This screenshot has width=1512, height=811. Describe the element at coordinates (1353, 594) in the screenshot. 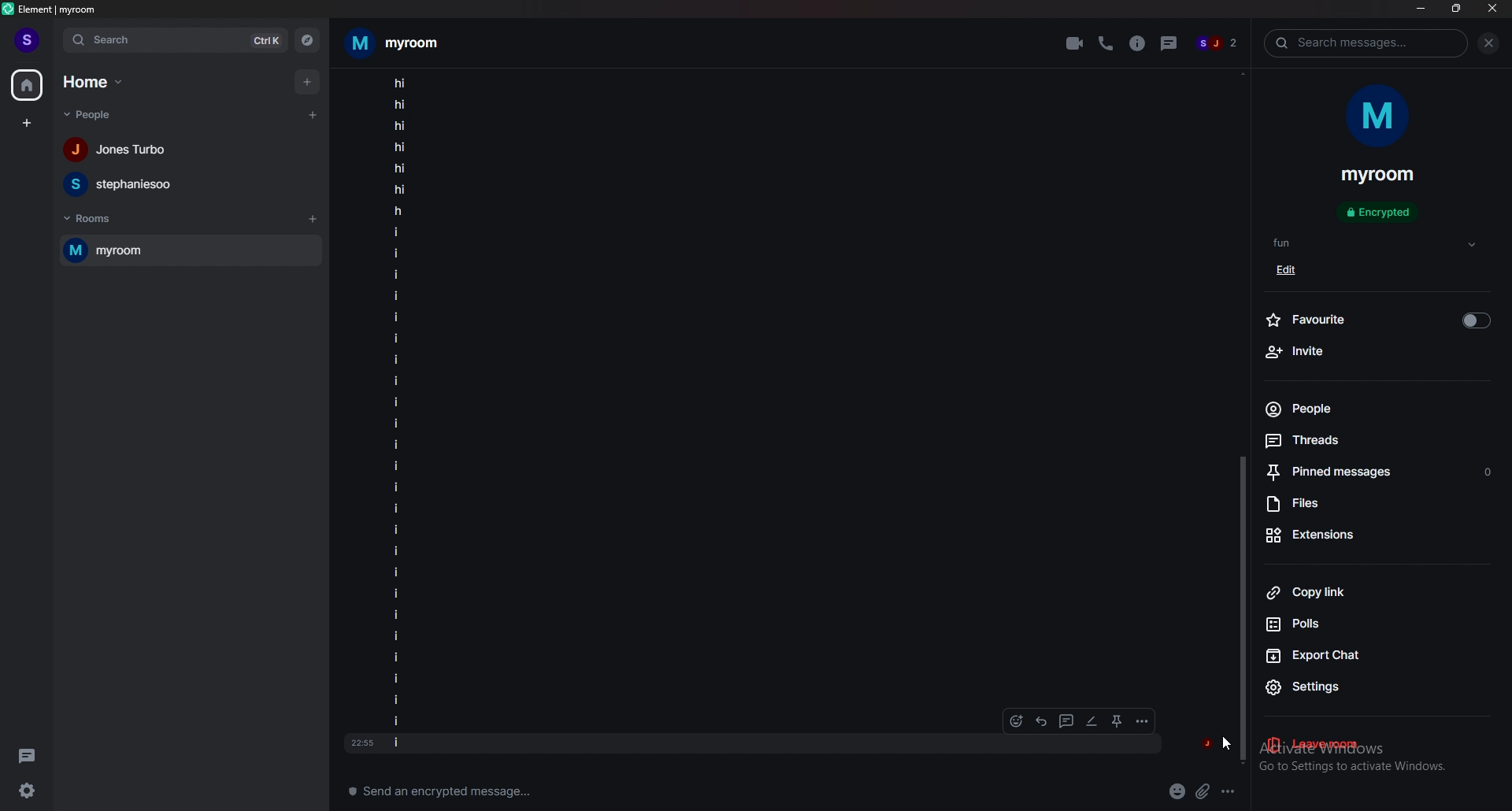

I see `copy link` at that location.